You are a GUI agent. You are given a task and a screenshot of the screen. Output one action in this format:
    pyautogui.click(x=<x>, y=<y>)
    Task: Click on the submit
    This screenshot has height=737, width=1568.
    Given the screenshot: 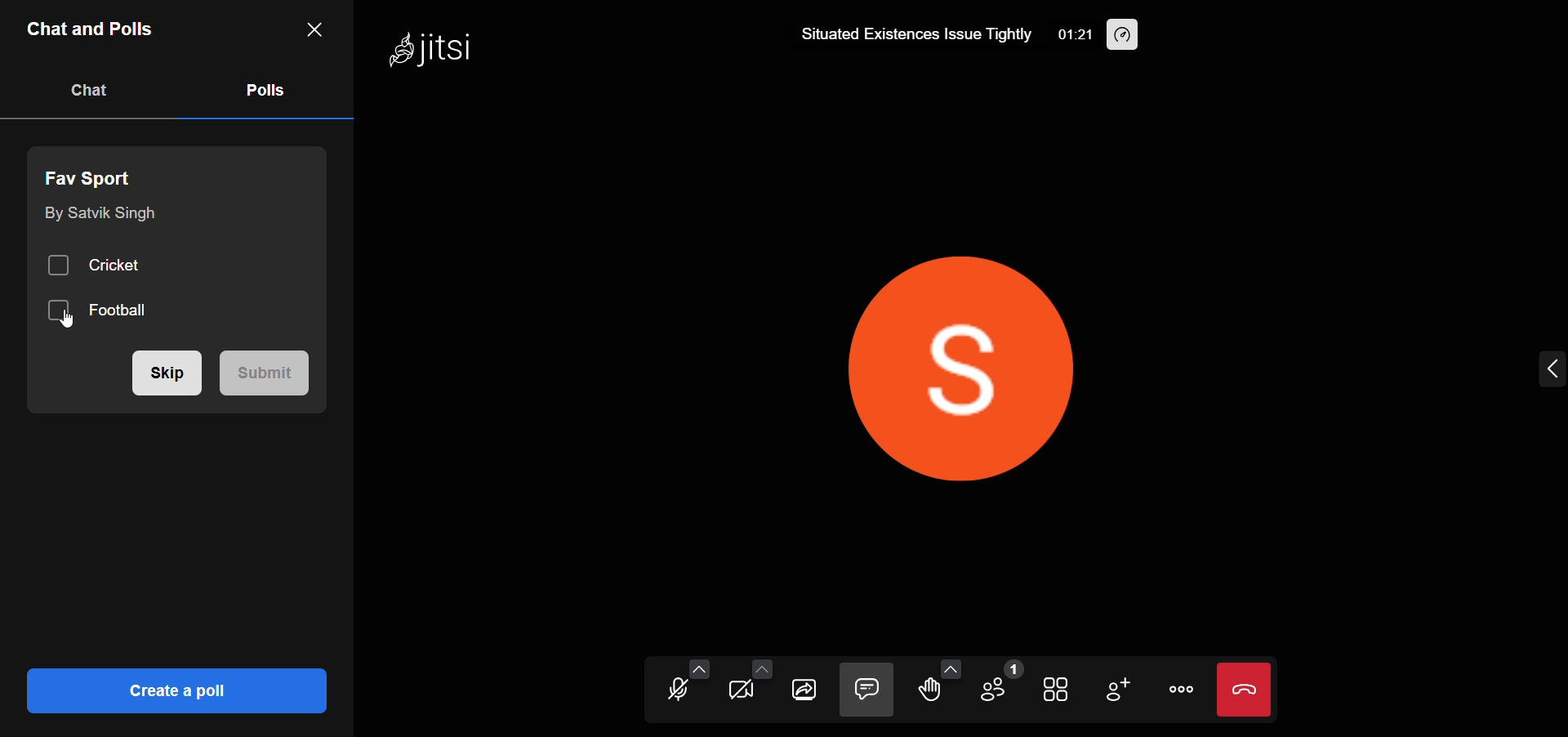 What is the action you would take?
    pyautogui.click(x=266, y=374)
    